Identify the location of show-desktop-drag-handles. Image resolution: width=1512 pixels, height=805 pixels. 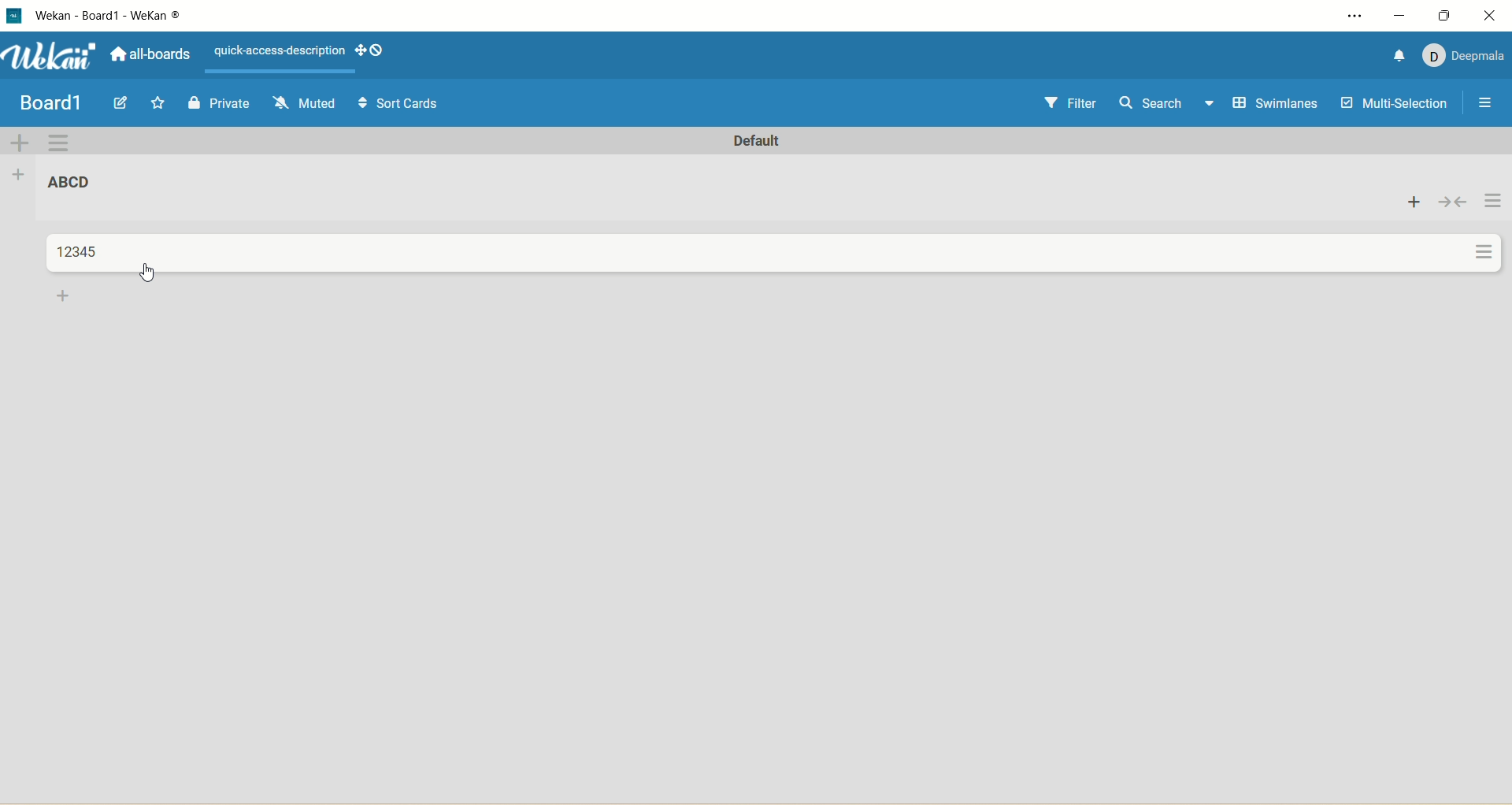
(380, 50).